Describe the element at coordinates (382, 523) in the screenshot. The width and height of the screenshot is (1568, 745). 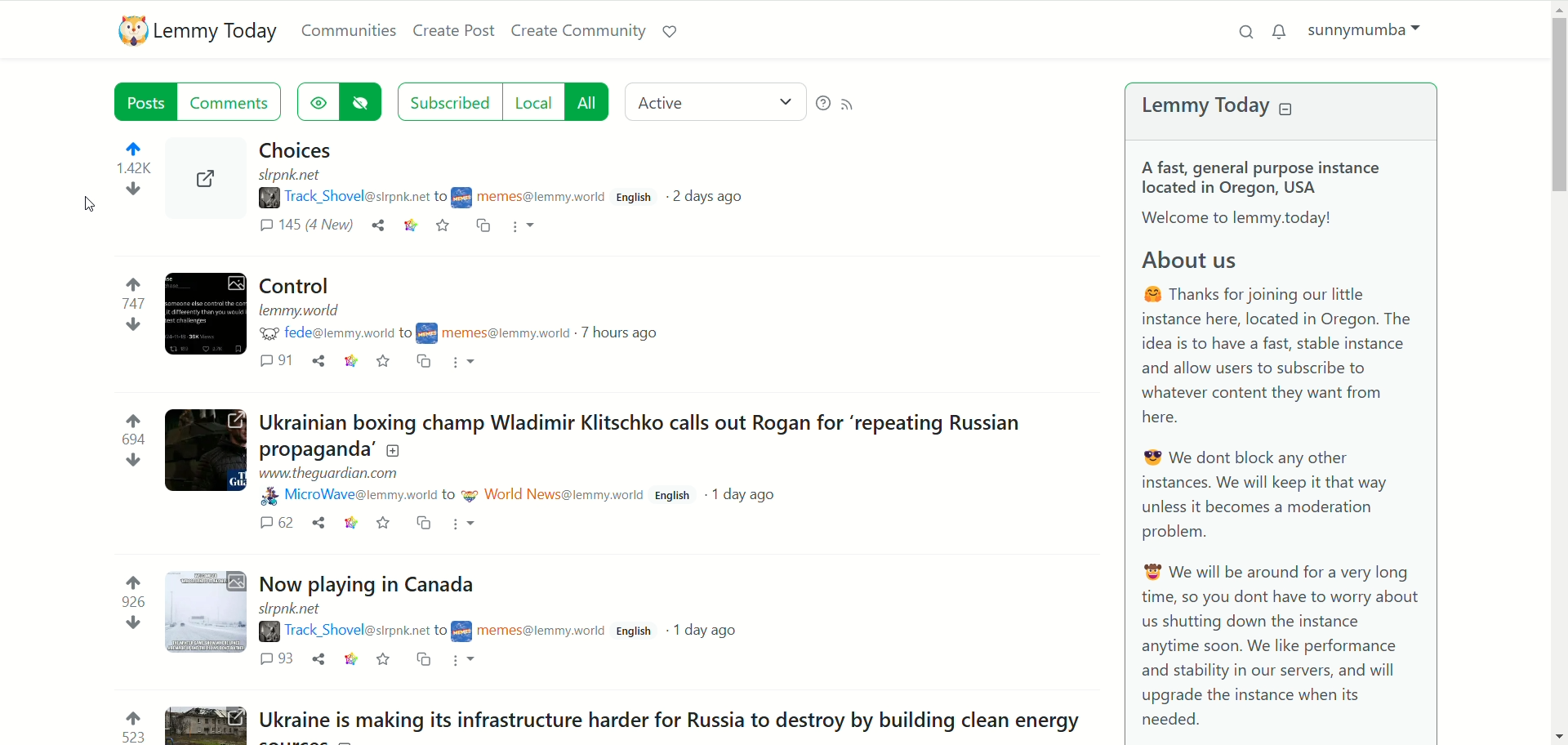
I see `save` at that location.